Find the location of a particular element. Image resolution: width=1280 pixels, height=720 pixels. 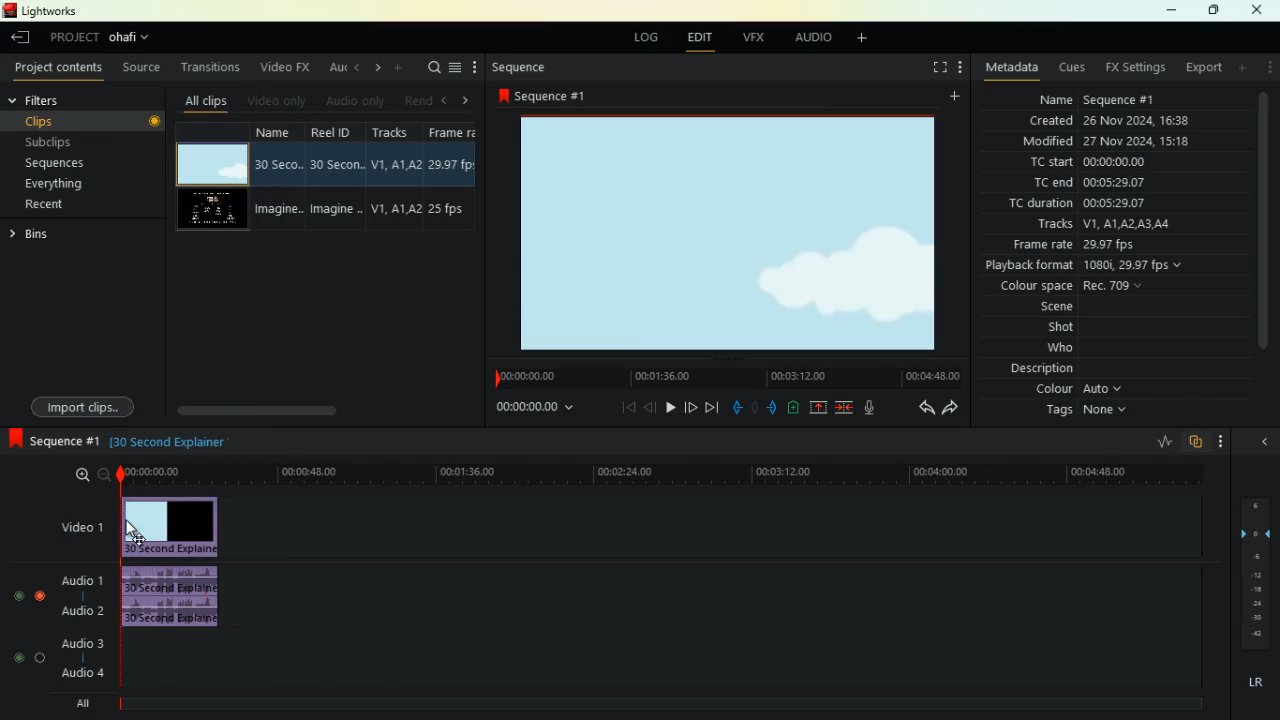

layers is located at coordinates (1252, 573).